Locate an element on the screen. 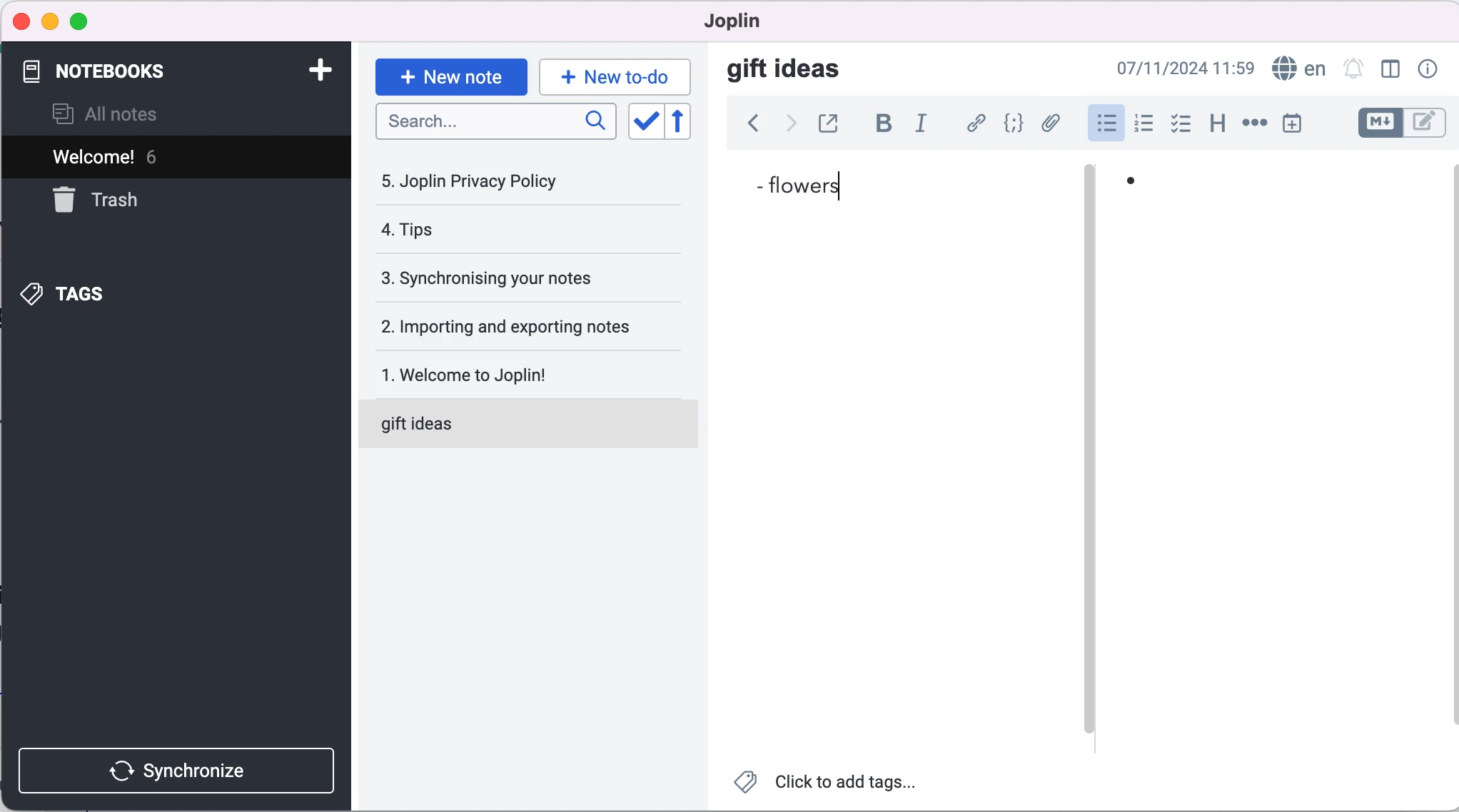 The height and width of the screenshot is (812, 1459). new note is located at coordinates (450, 73).